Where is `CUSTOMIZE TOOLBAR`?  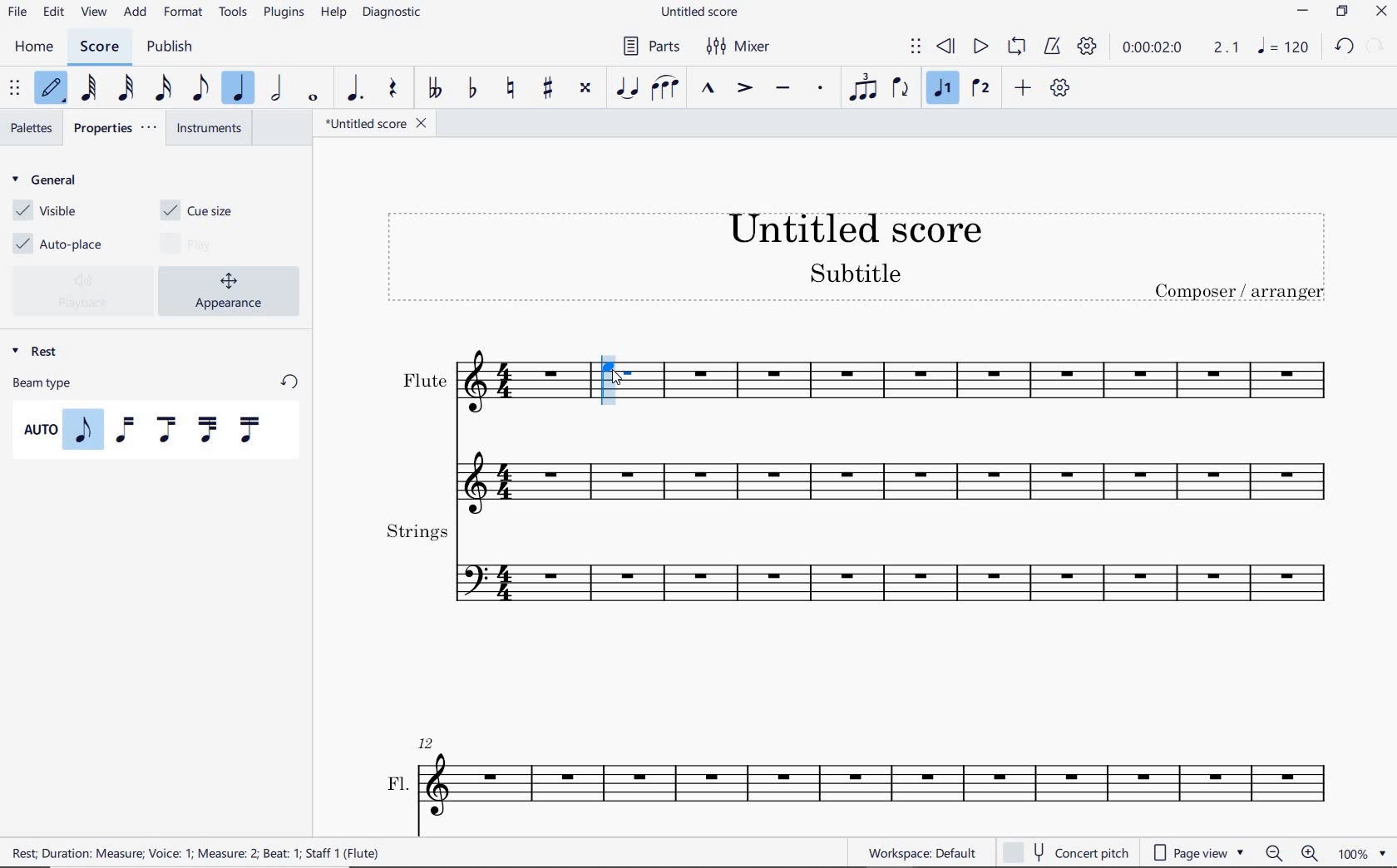 CUSTOMIZE TOOLBAR is located at coordinates (1060, 88).